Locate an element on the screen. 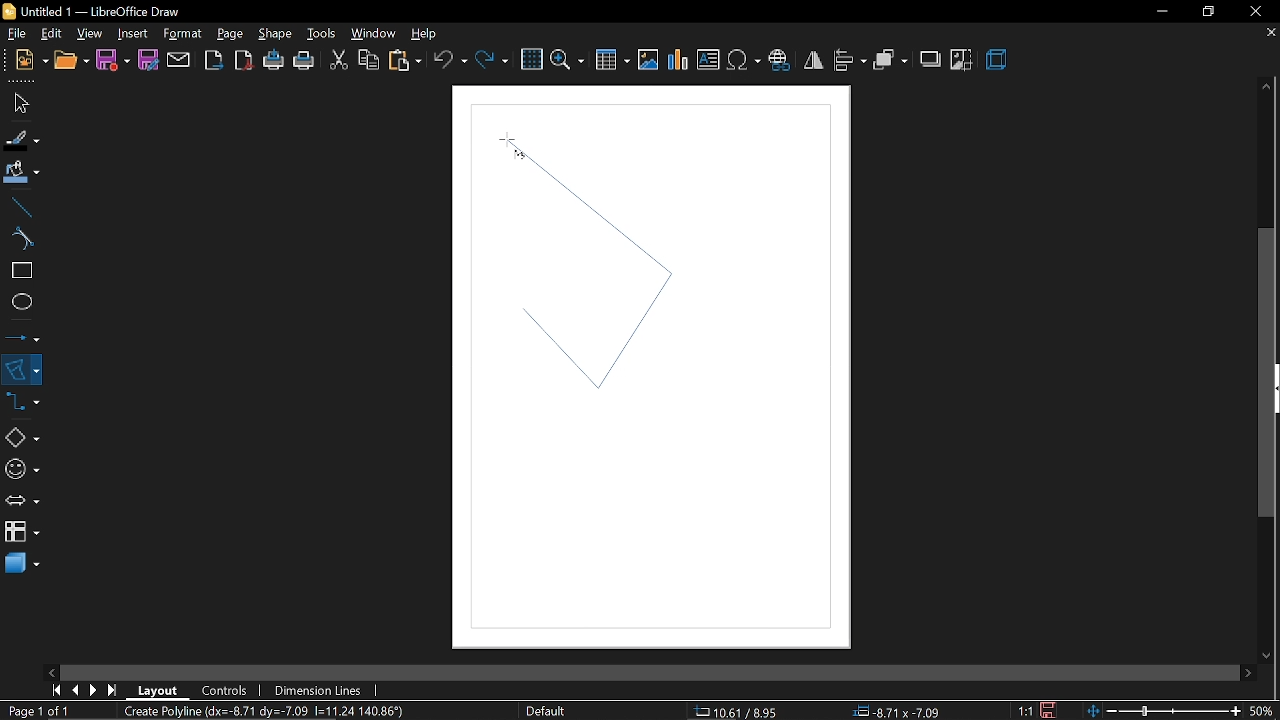 This screenshot has height=720, width=1280. fill color is located at coordinates (19, 172).